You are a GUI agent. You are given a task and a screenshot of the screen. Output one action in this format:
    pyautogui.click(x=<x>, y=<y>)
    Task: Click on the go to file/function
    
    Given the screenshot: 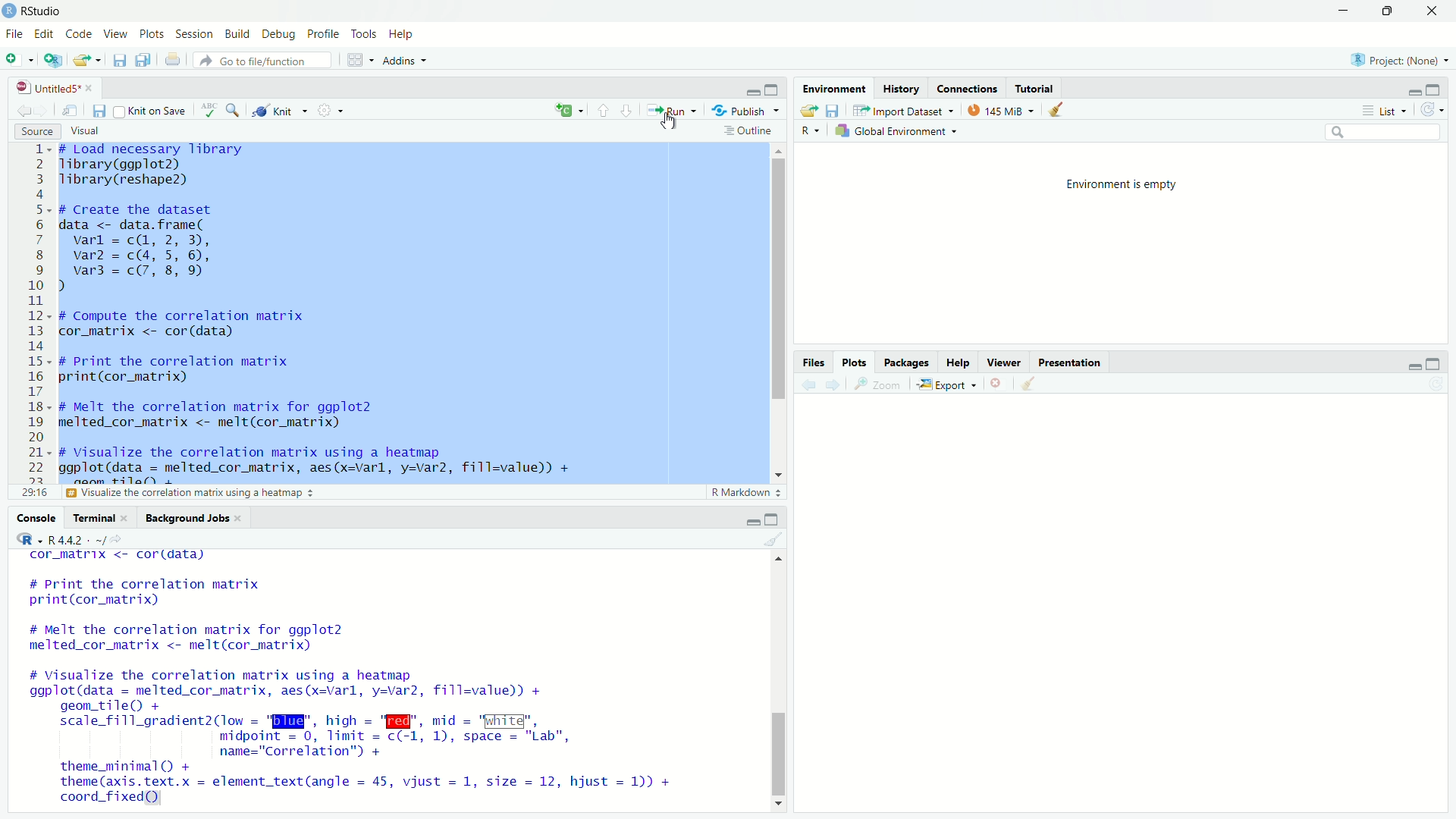 What is the action you would take?
    pyautogui.click(x=264, y=60)
    